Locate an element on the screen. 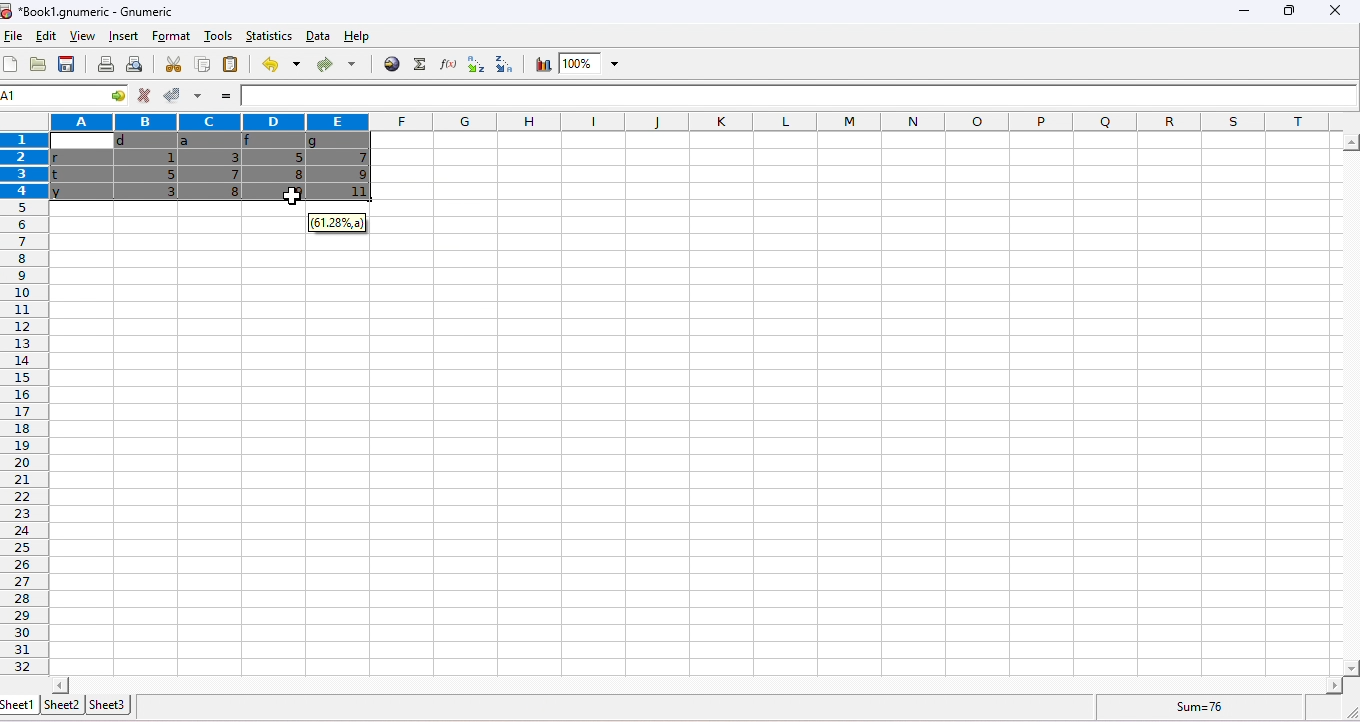 The width and height of the screenshot is (1360, 722). row numbers is located at coordinates (26, 406).